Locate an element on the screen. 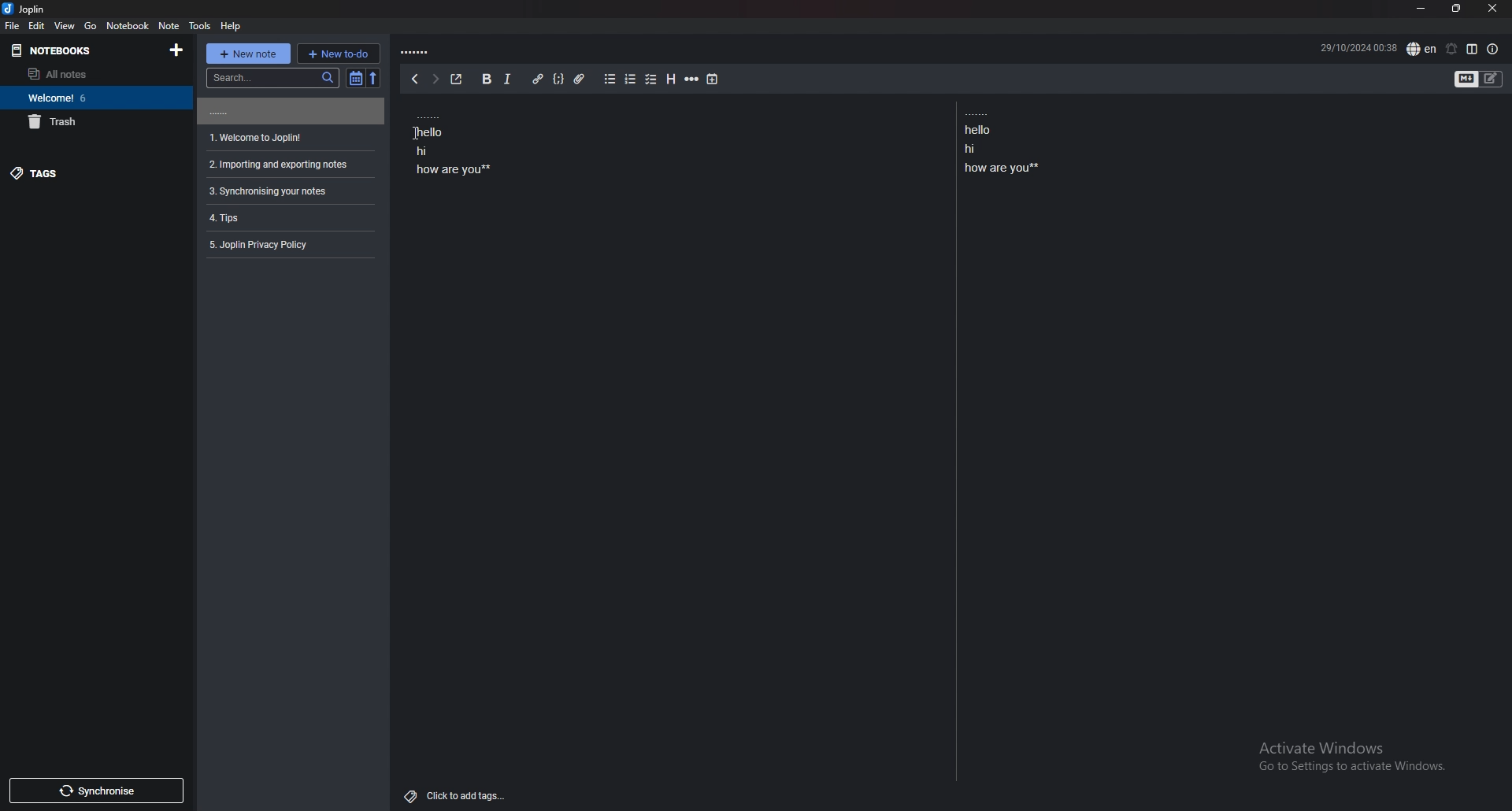 This screenshot has width=1512, height=811. new note is located at coordinates (246, 54).